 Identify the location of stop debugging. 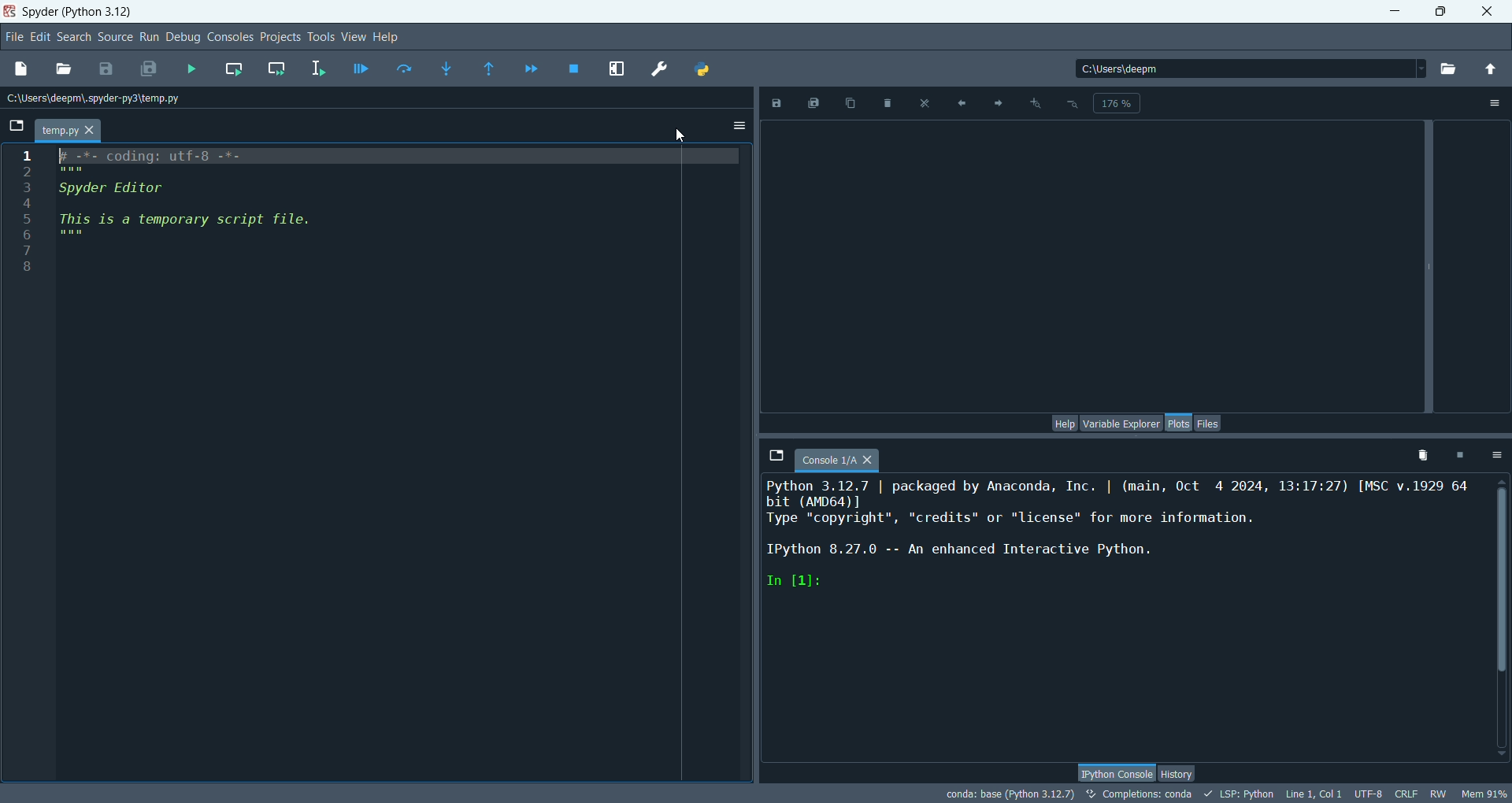
(574, 69).